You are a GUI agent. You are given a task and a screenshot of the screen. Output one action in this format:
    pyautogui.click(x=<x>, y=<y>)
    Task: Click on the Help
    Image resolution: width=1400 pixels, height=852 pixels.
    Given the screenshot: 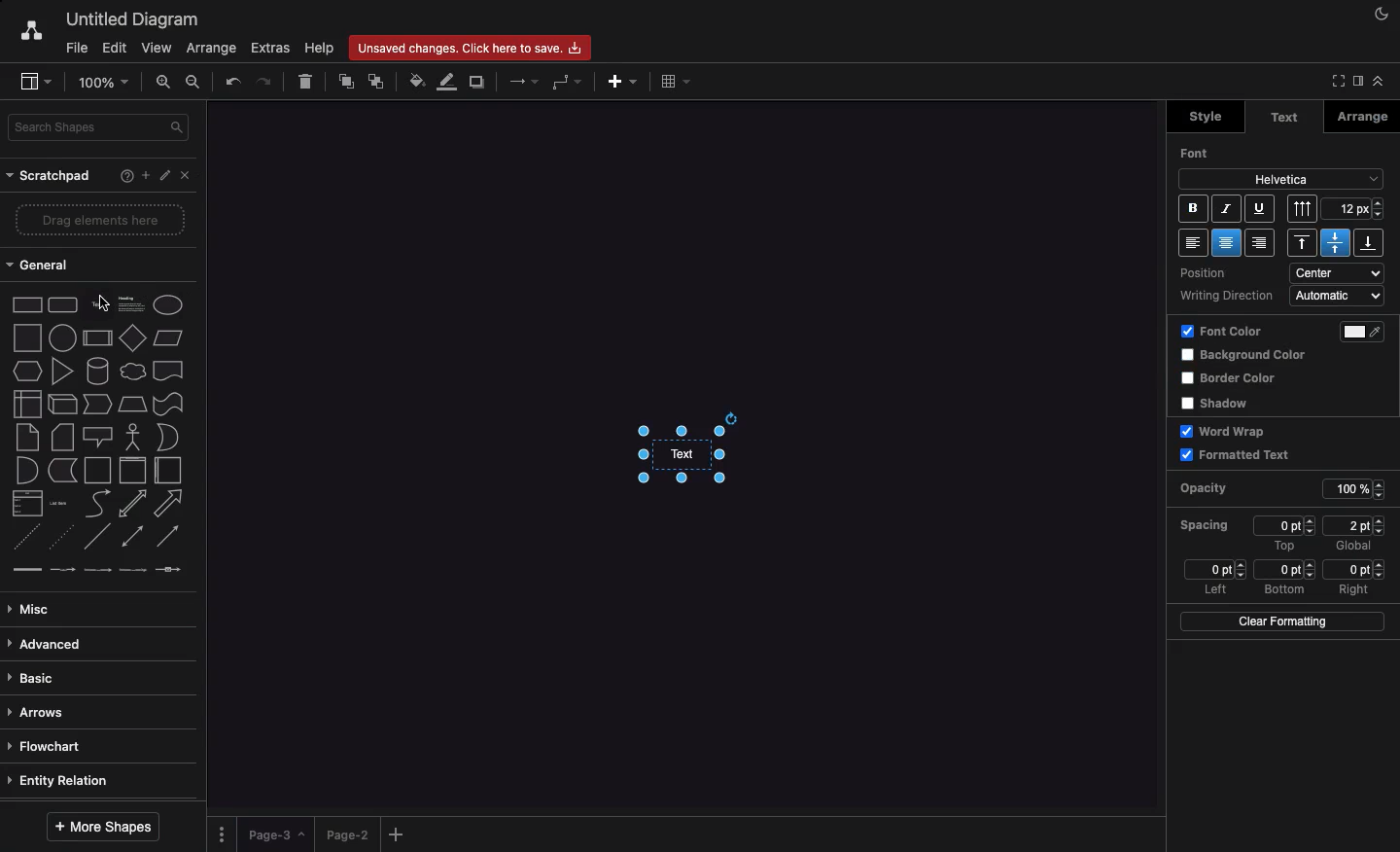 What is the action you would take?
    pyautogui.click(x=122, y=178)
    